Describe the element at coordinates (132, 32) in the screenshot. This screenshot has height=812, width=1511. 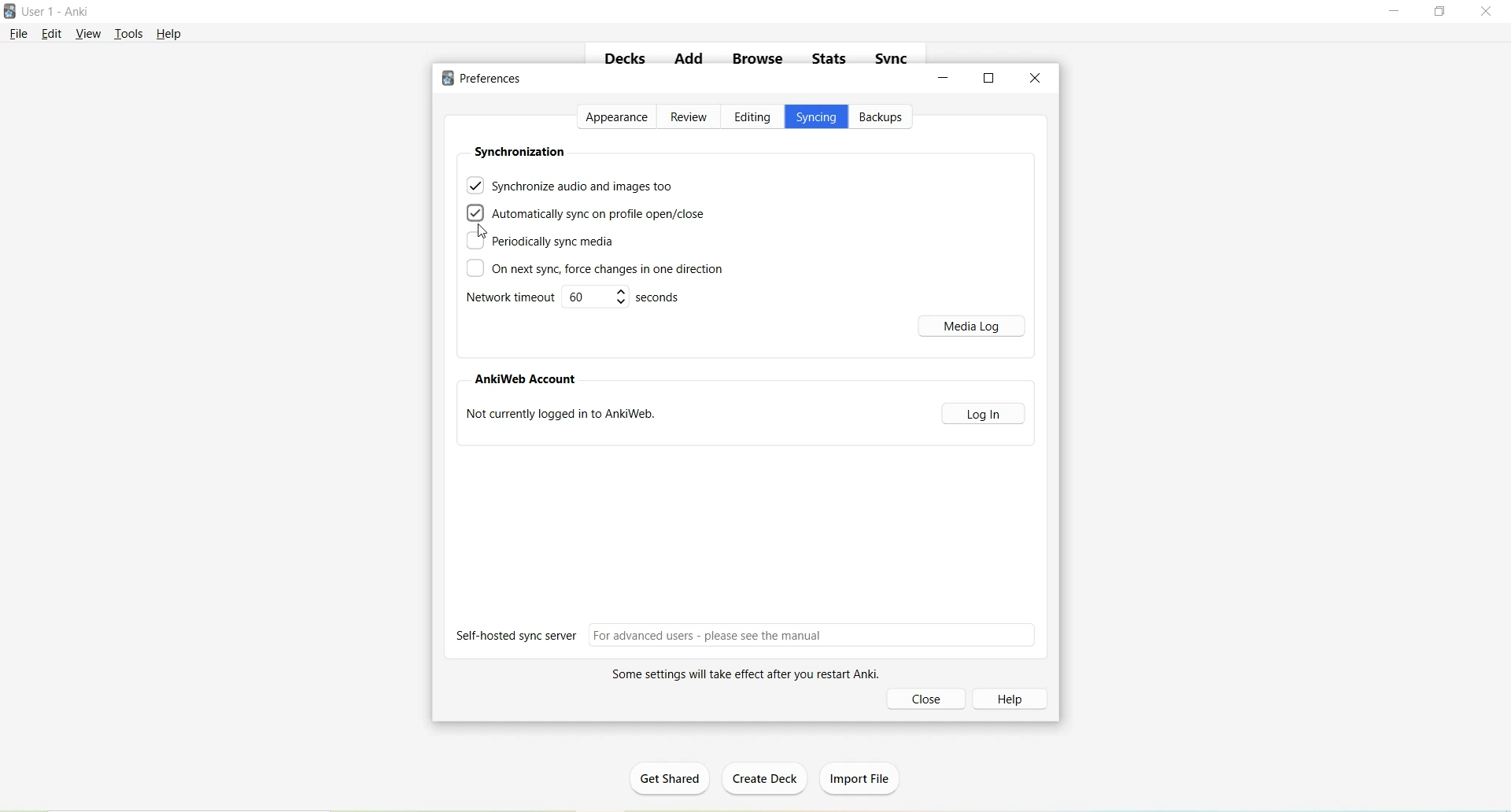
I see `Tools` at that location.